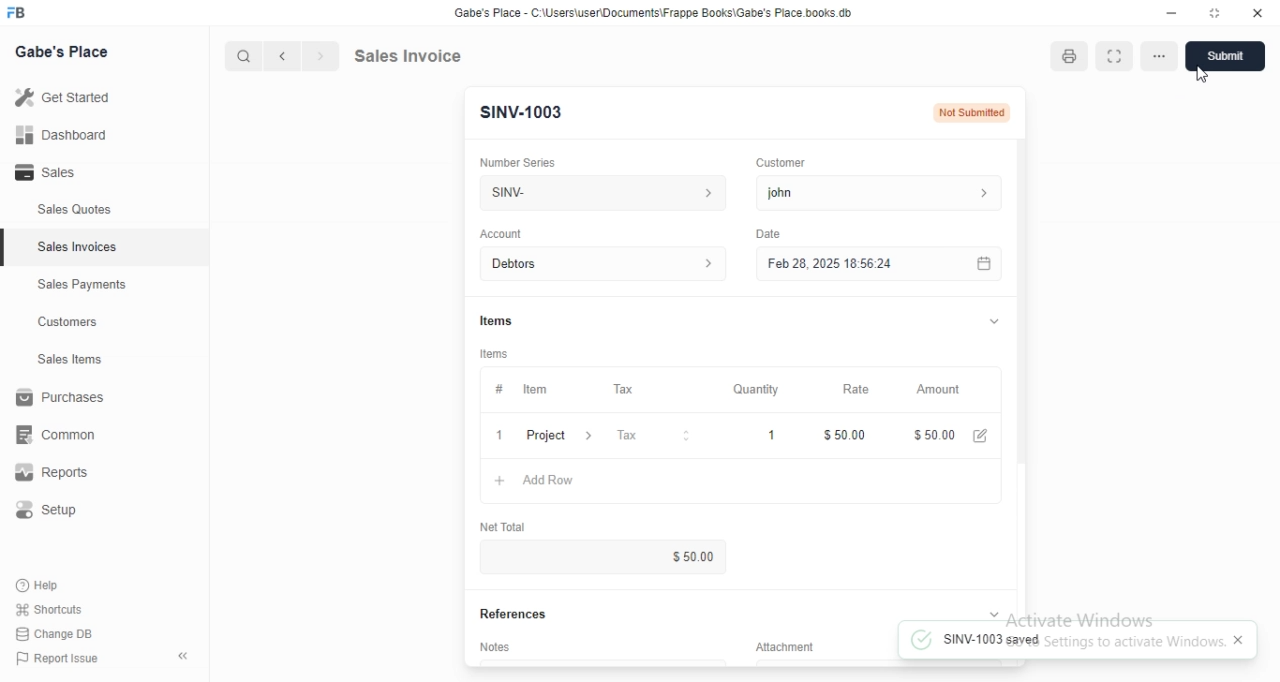 The image size is (1280, 682). What do you see at coordinates (61, 360) in the screenshot?
I see `Sales Items` at bounding box center [61, 360].